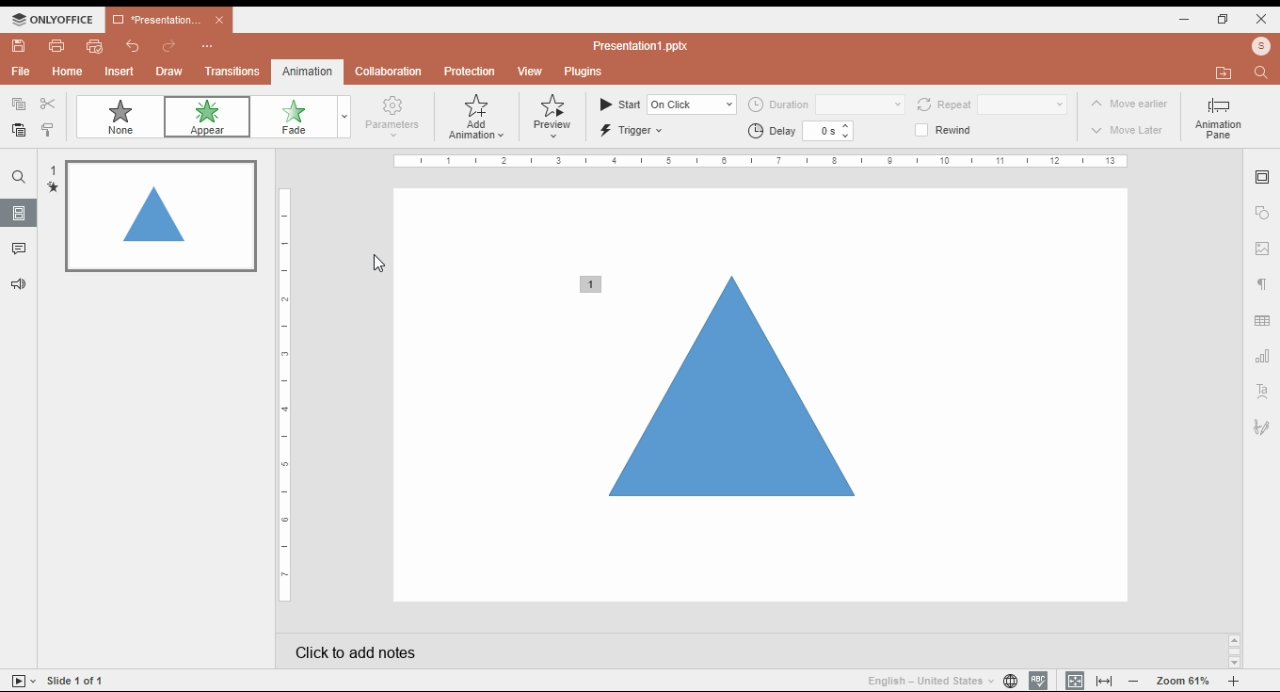 The width and height of the screenshot is (1280, 692). Describe the element at coordinates (1223, 74) in the screenshot. I see `open file location` at that location.